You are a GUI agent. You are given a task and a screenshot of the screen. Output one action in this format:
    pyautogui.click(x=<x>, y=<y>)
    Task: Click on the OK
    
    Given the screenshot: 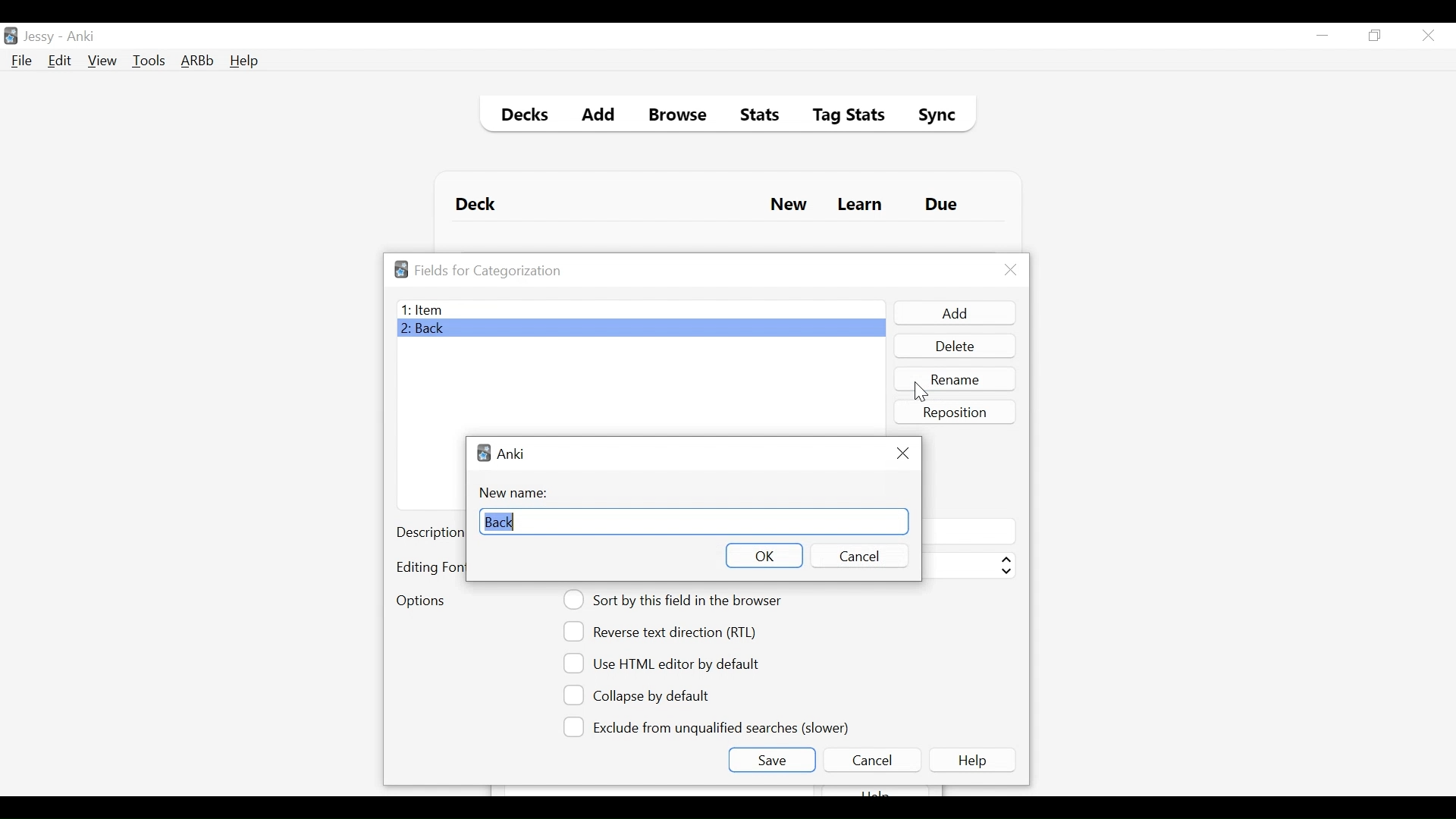 What is the action you would take?
    pyautogui.click(x=763, y=555)
    